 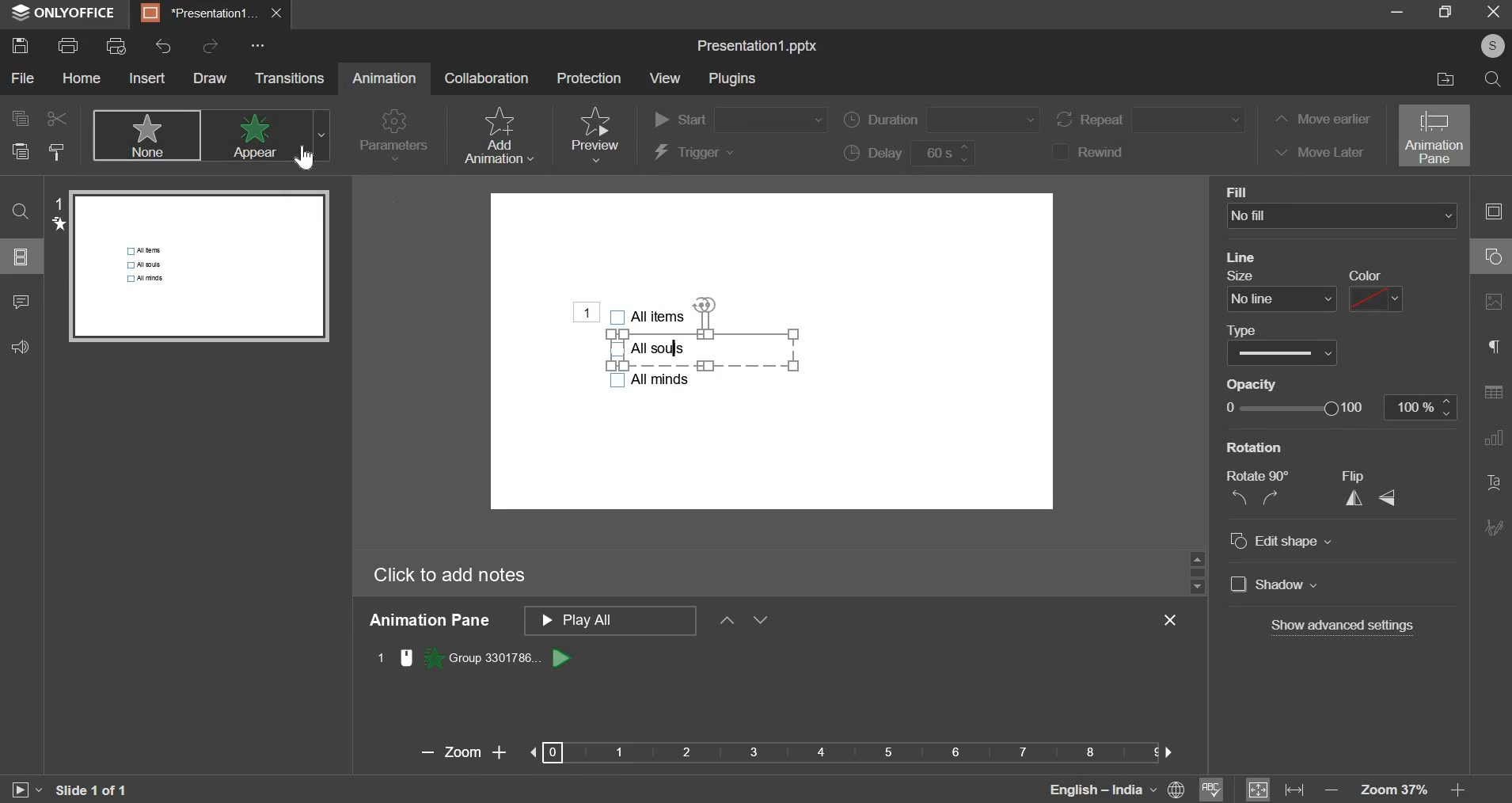 What do you see at coordinates (1375, 299) in the screenshot?
I see `line color` at bounding box center [1375, 299].